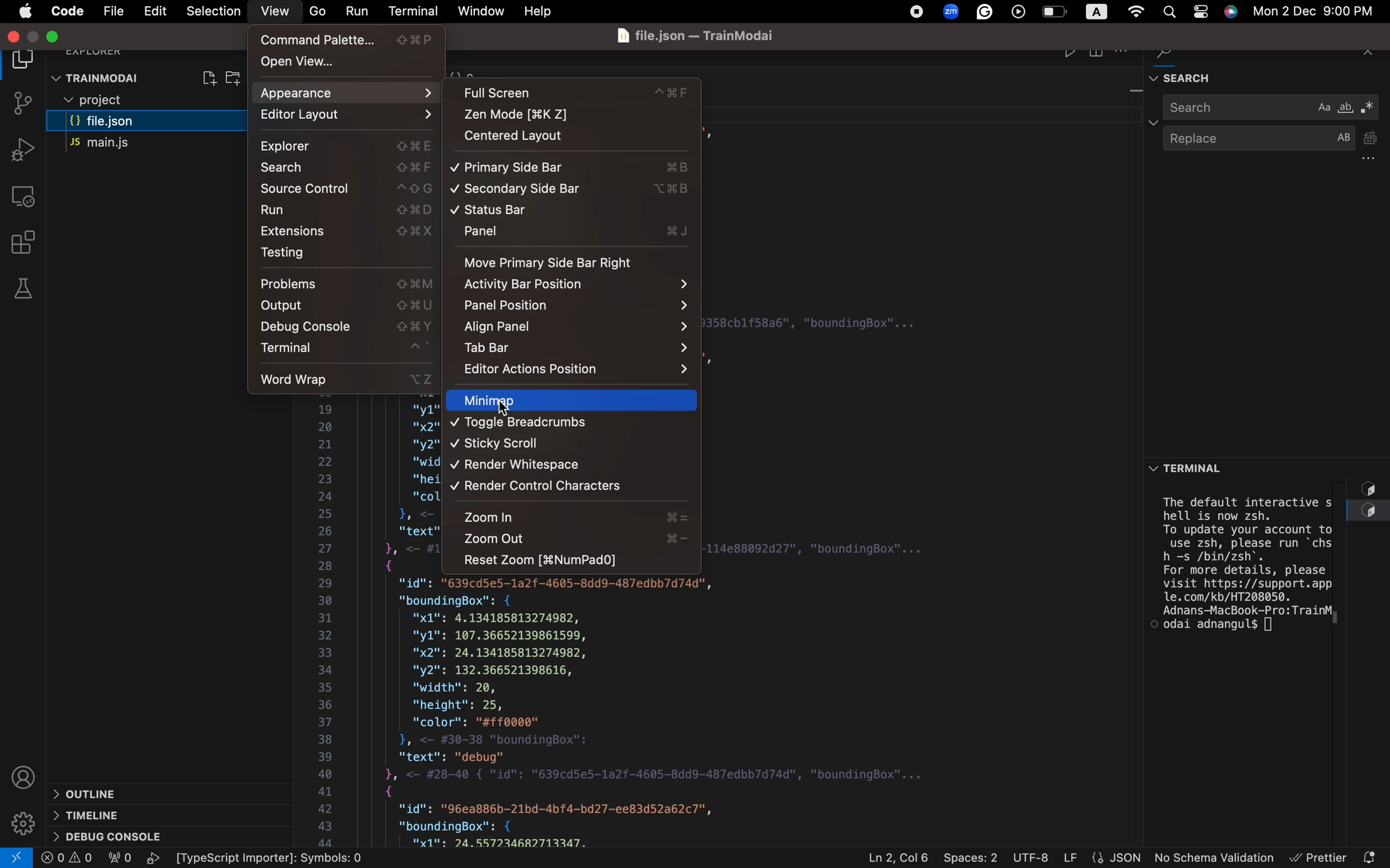  Describe the element at coordinates (1272, 107) in the screenshot. I see `search` at that location.